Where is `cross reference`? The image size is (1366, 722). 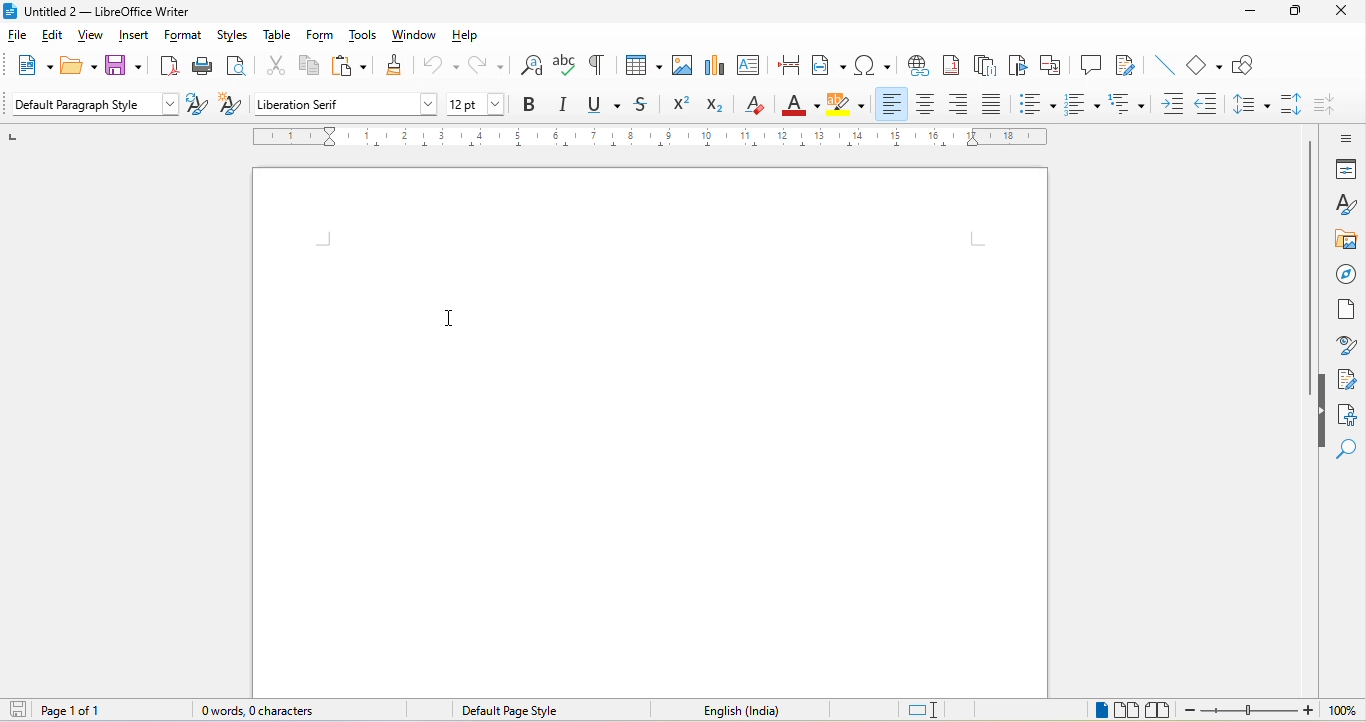
cross reference is located at coordinates (1051, 68).